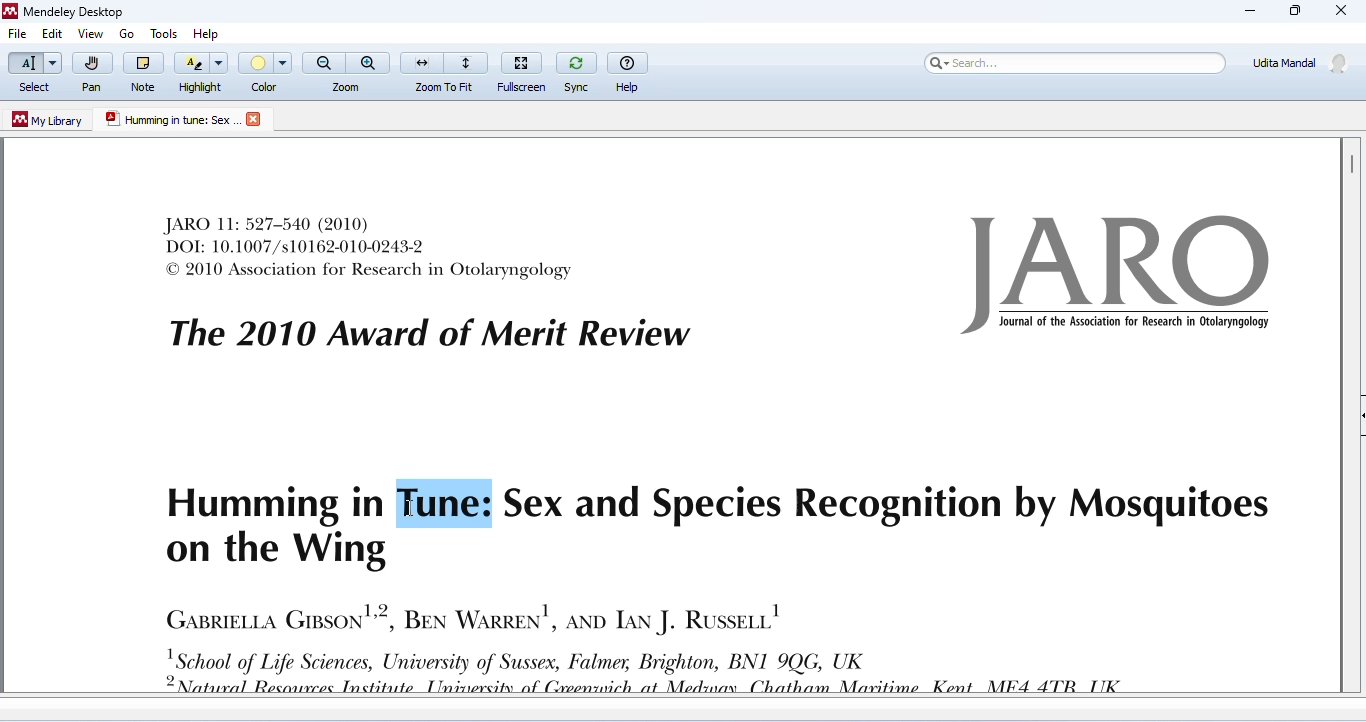  I want to click on sync, so click(576, 70).